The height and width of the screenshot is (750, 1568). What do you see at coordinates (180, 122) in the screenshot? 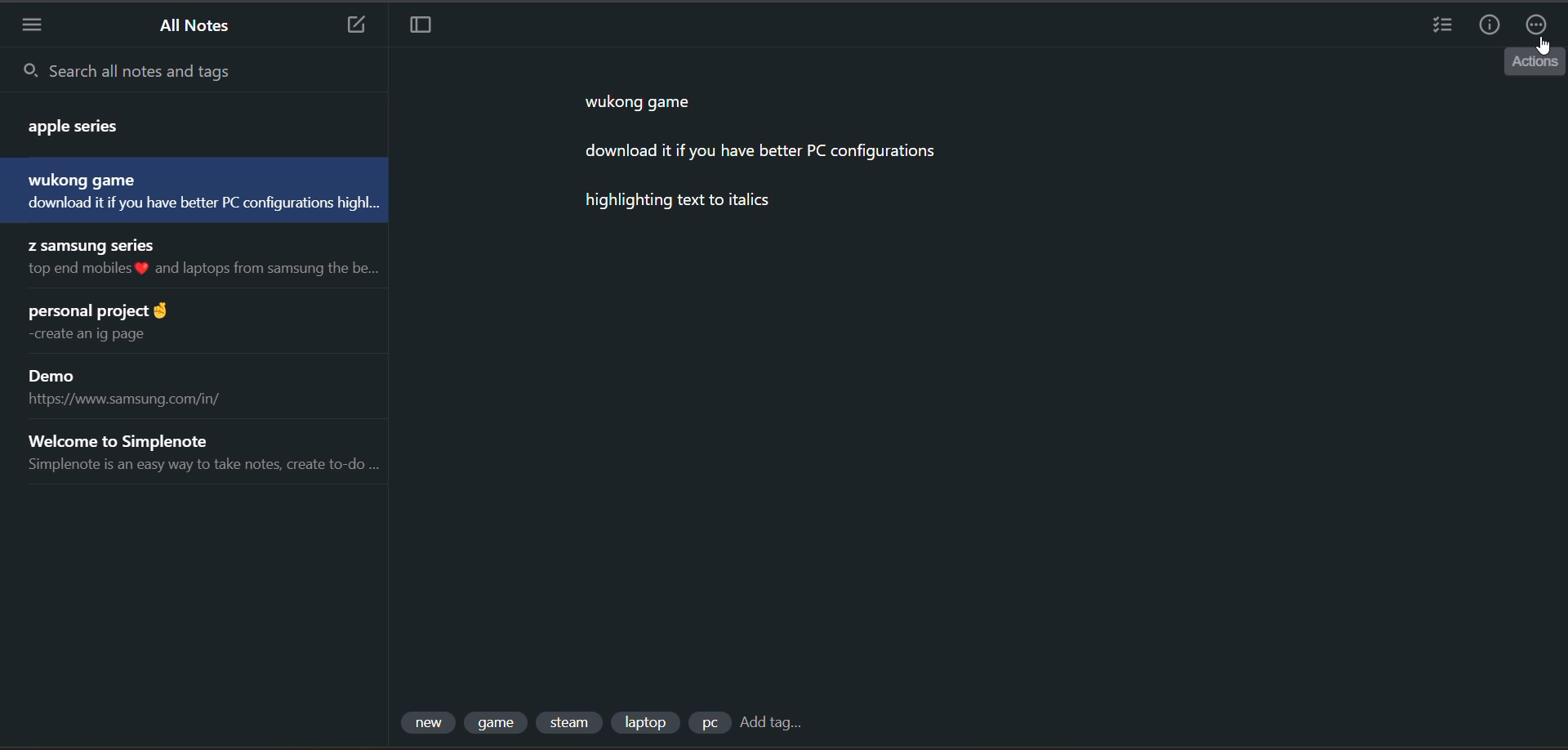
I see `note title and preview` at bounding box center [180, 122].